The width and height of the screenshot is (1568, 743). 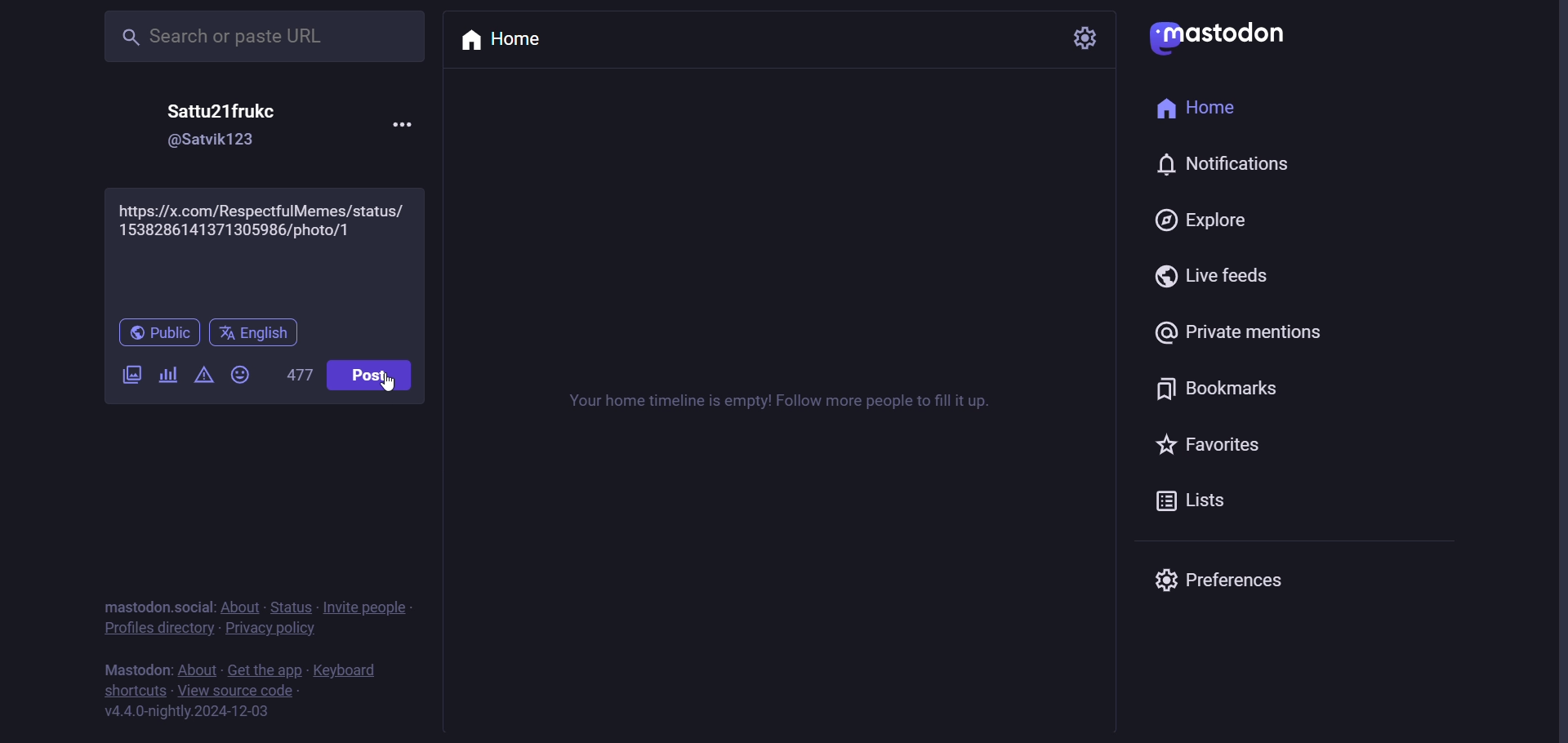 What do you see at coordinates (1082, 38) in the screenshot?
I see `seetting` at bounding box center [1082, 38].